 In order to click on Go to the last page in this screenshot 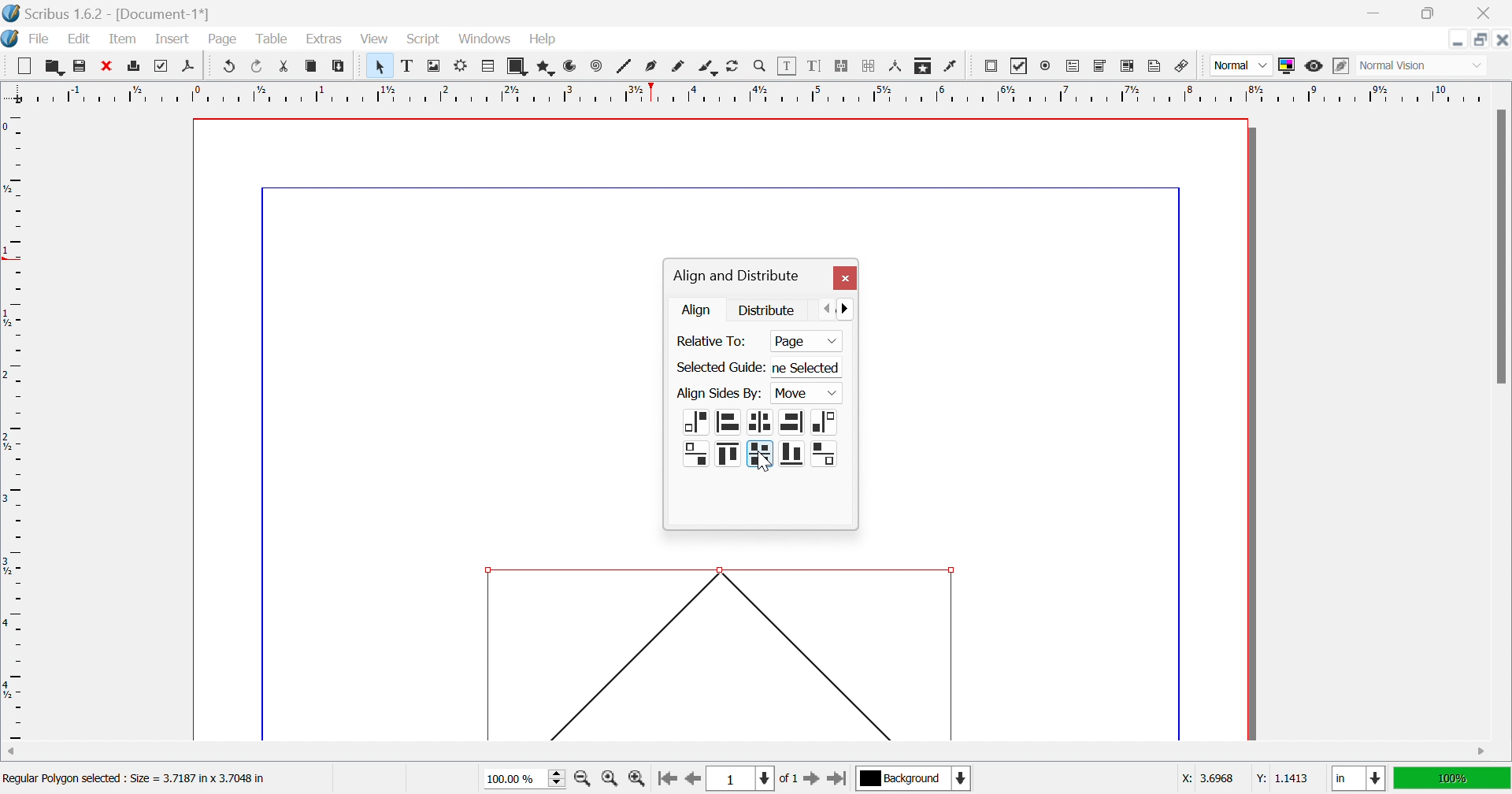, I will do `click(836, 781)`.